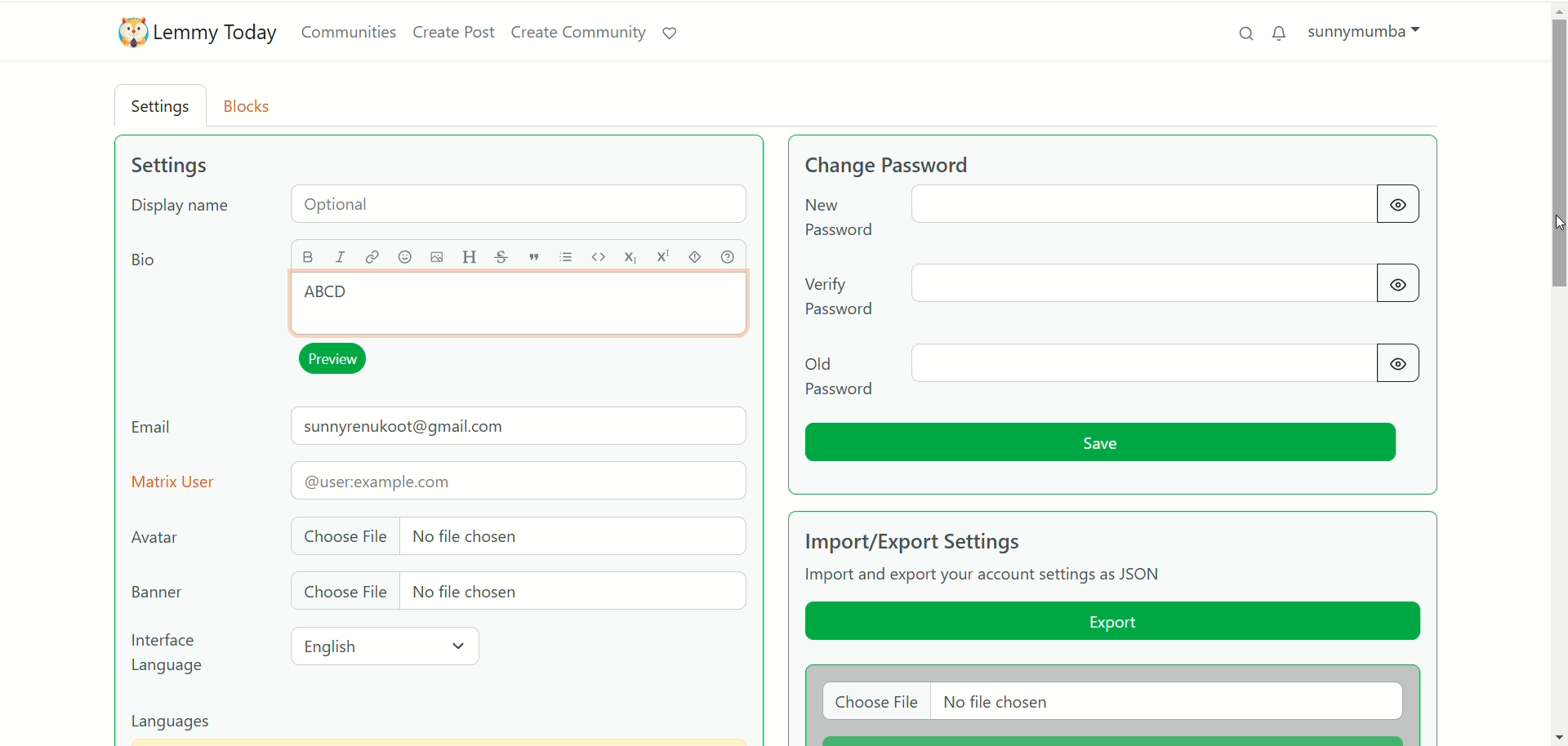  Describe the element at coordinates (310, 255) in the screenshot. I see `bold` at that location.